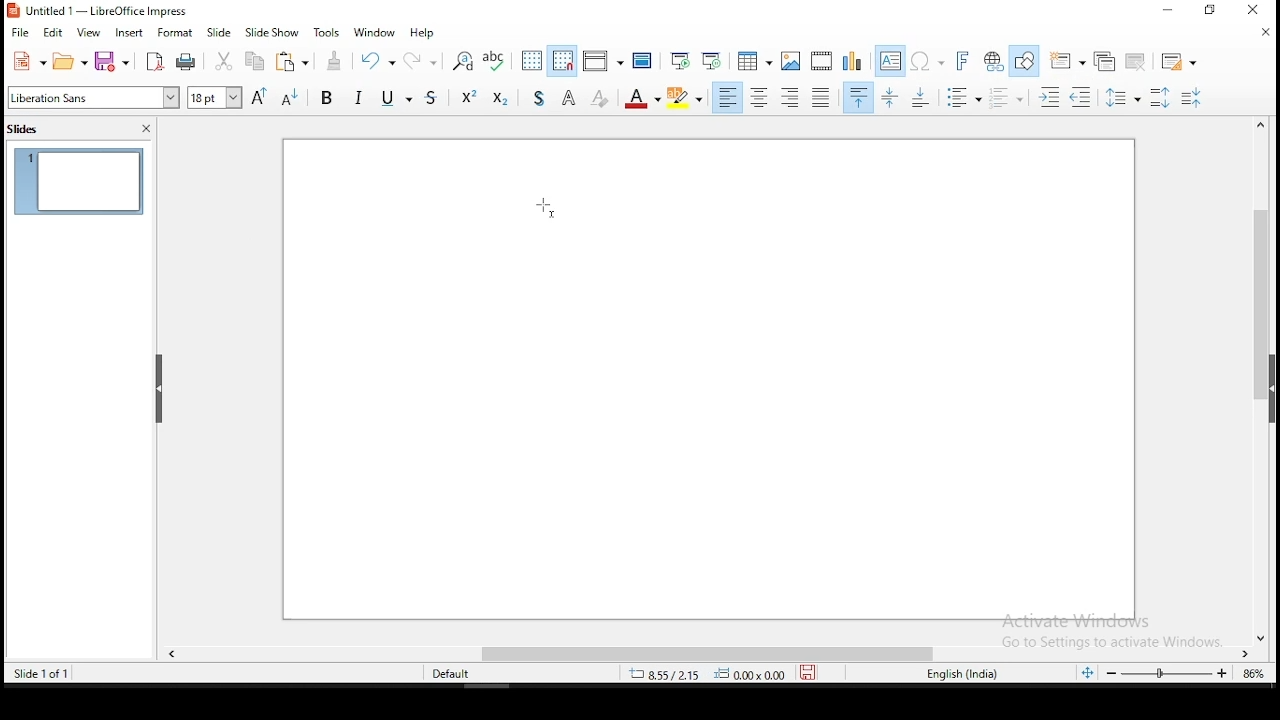  Describe the element at coordinates (92, 99) in the screenshot. I see `font` at that location.